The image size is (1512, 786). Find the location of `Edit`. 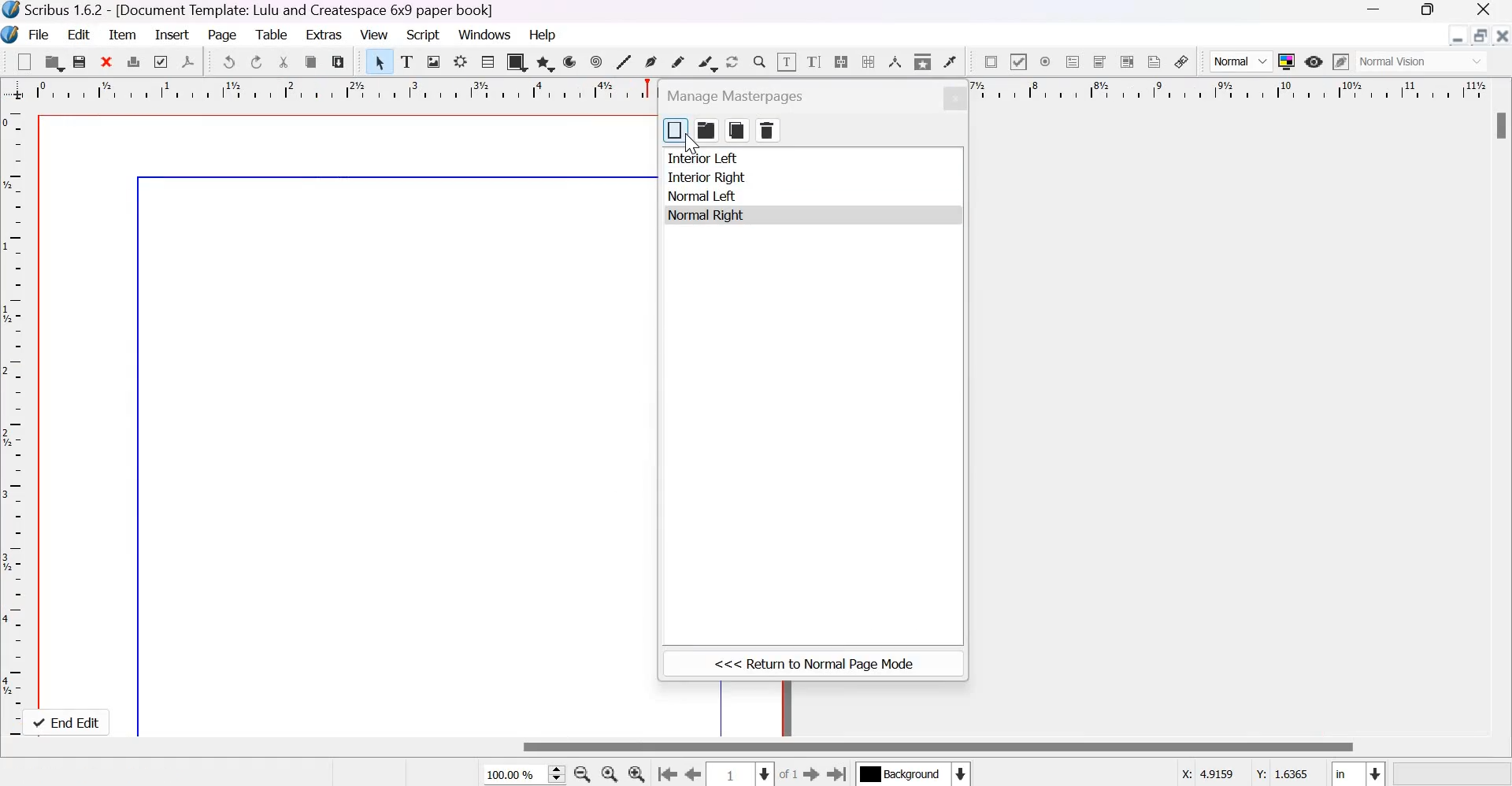

Edit is located at coordinates (81, 33).